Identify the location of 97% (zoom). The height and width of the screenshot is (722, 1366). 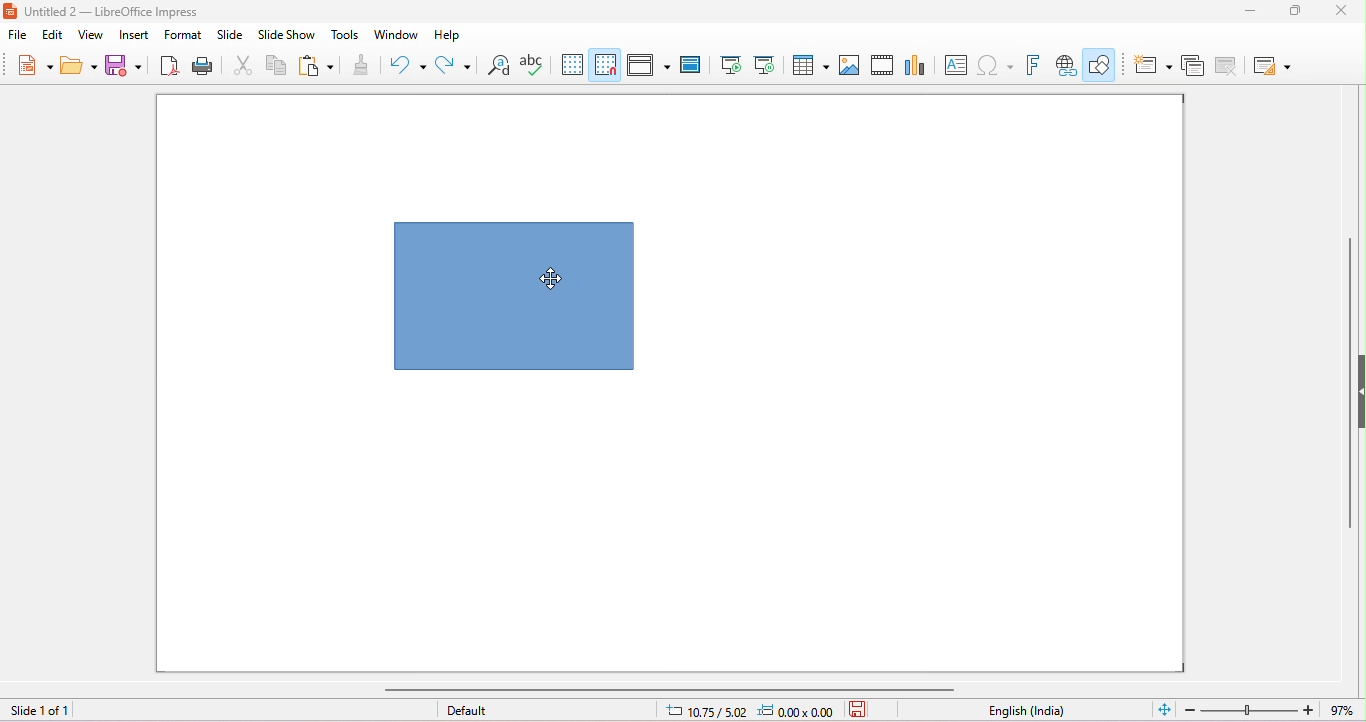
(1268, 710).